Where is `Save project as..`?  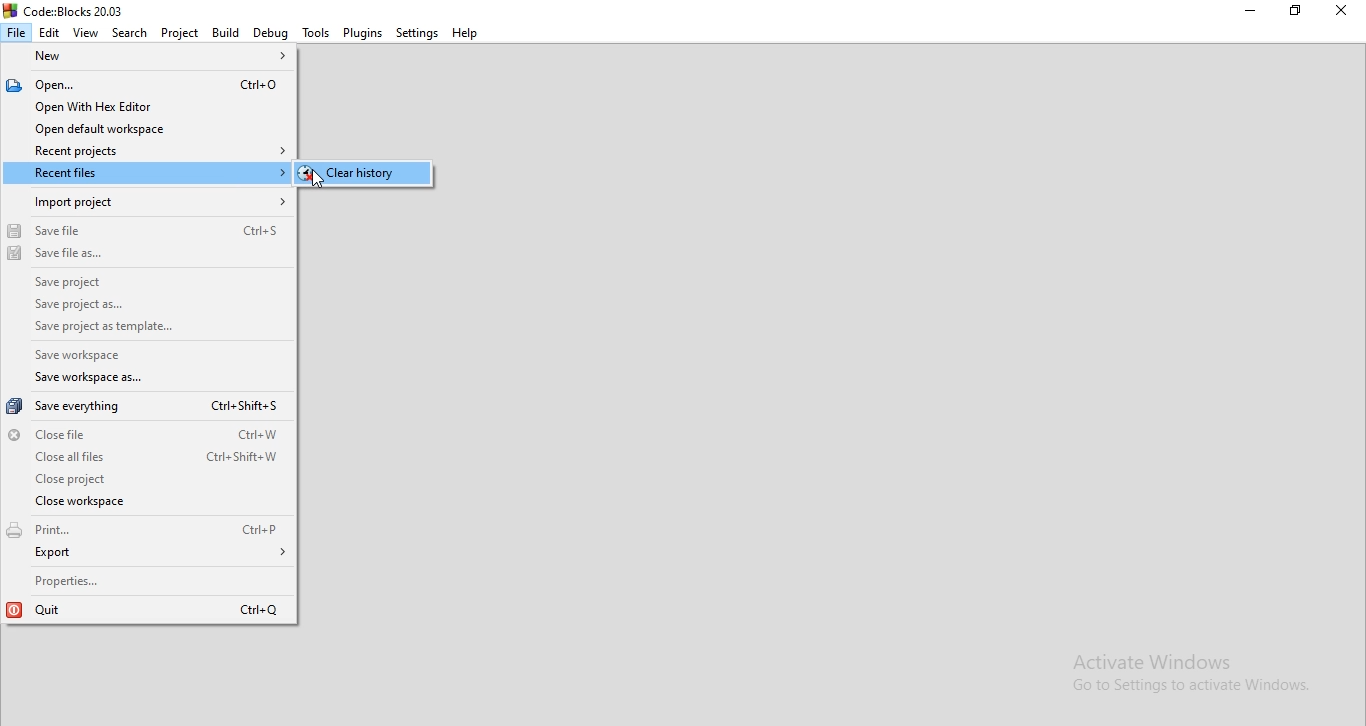 Save project as.. is located at coordinates (148, 308).